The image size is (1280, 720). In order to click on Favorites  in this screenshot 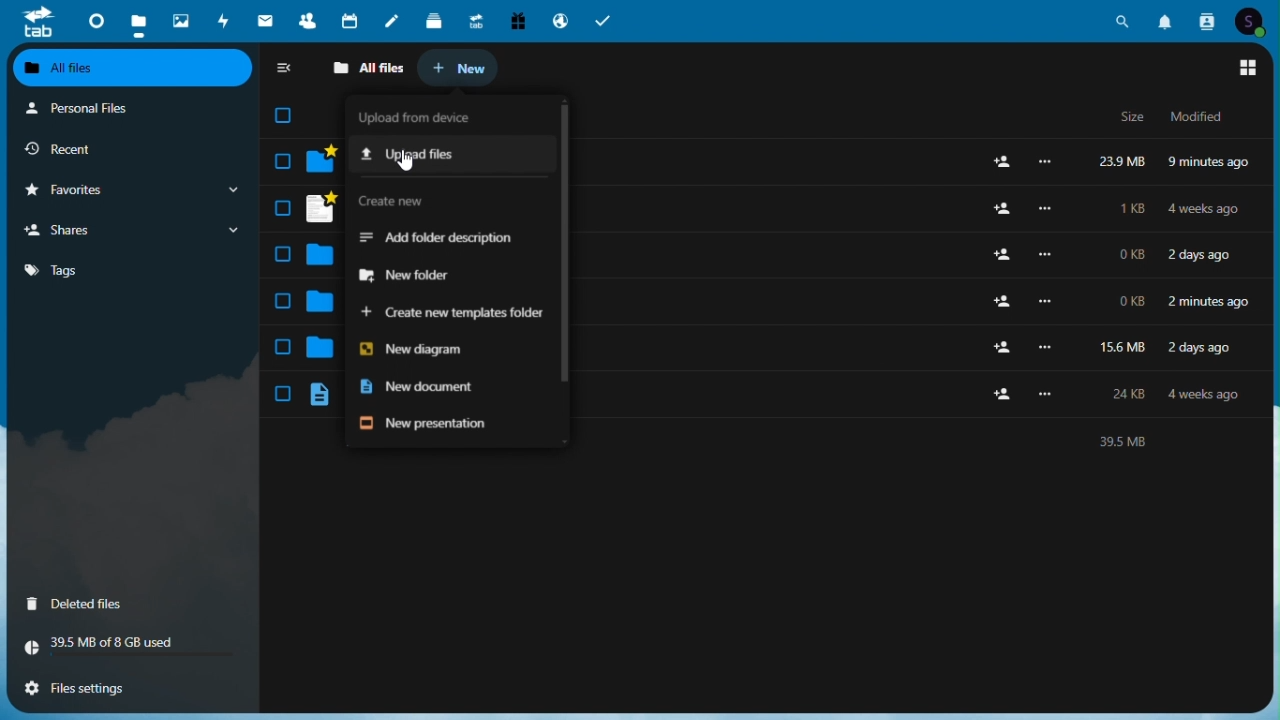, I will do `click(124, 189)`.